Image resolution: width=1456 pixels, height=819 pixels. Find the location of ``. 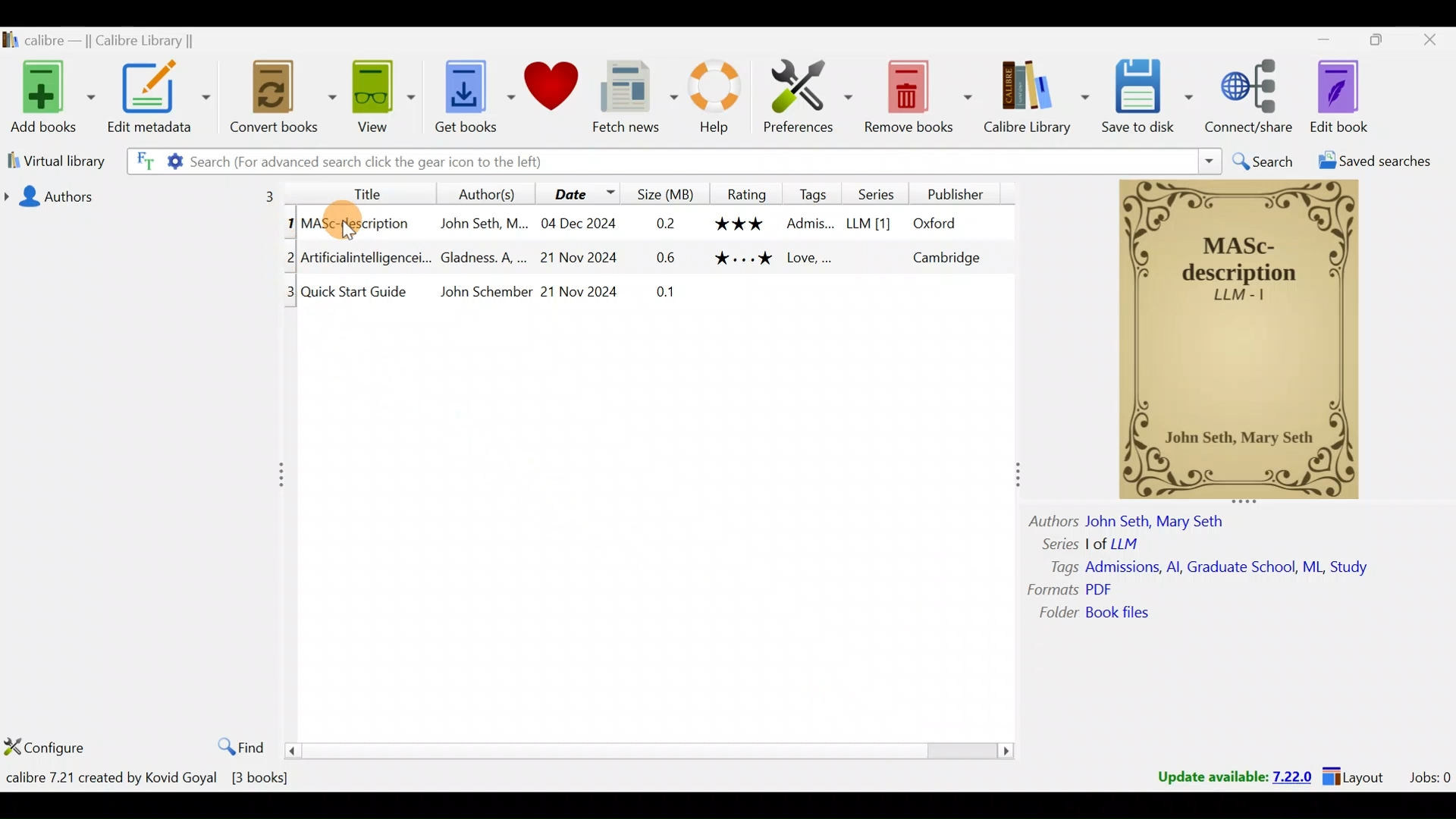

 is located at coordinates (289, 226).